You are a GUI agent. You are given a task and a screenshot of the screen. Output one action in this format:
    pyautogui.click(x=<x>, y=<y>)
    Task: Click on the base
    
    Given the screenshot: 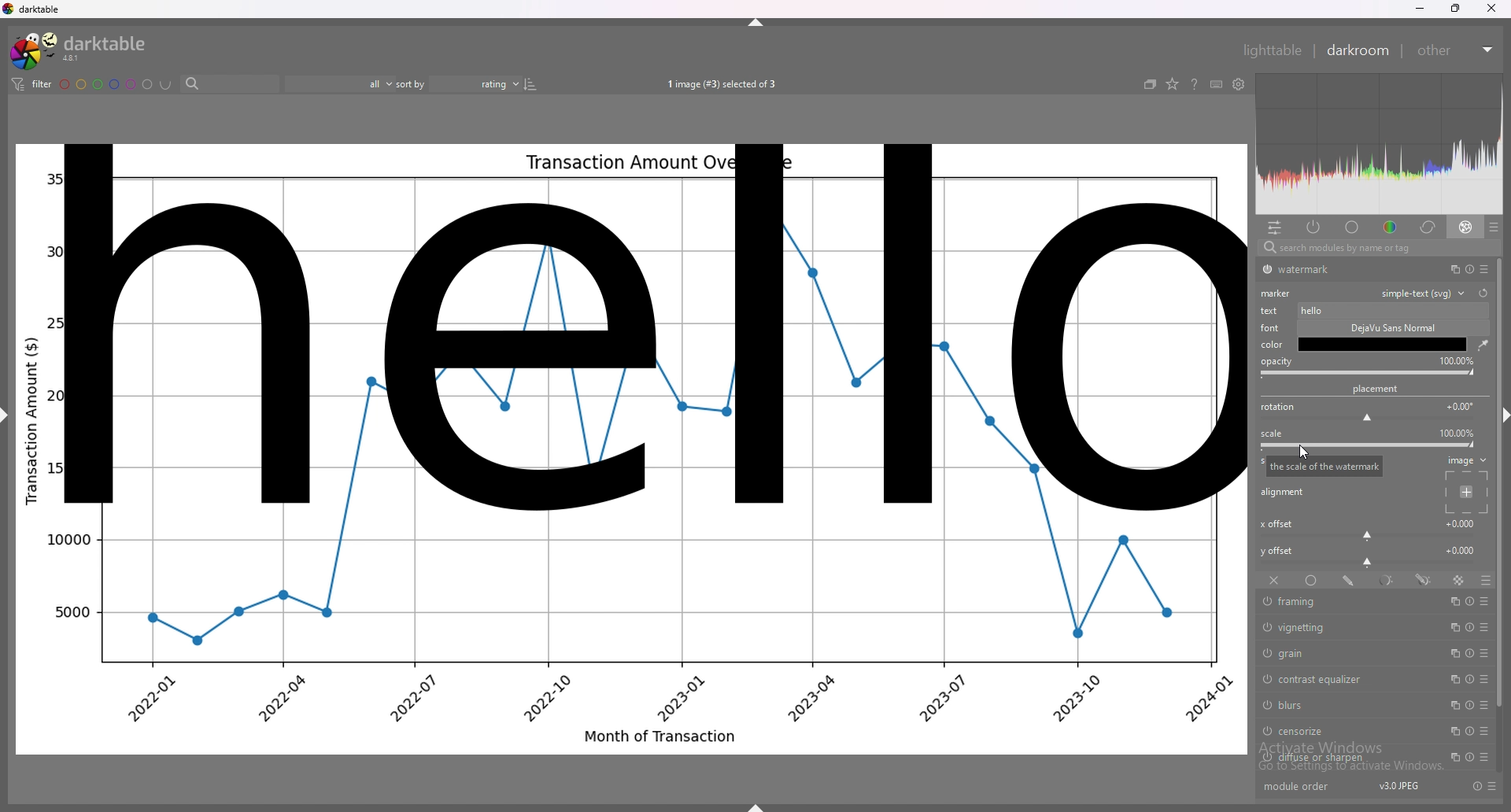 What is the action you would take?
    pyautogui.click(x=1352, y=227)
    